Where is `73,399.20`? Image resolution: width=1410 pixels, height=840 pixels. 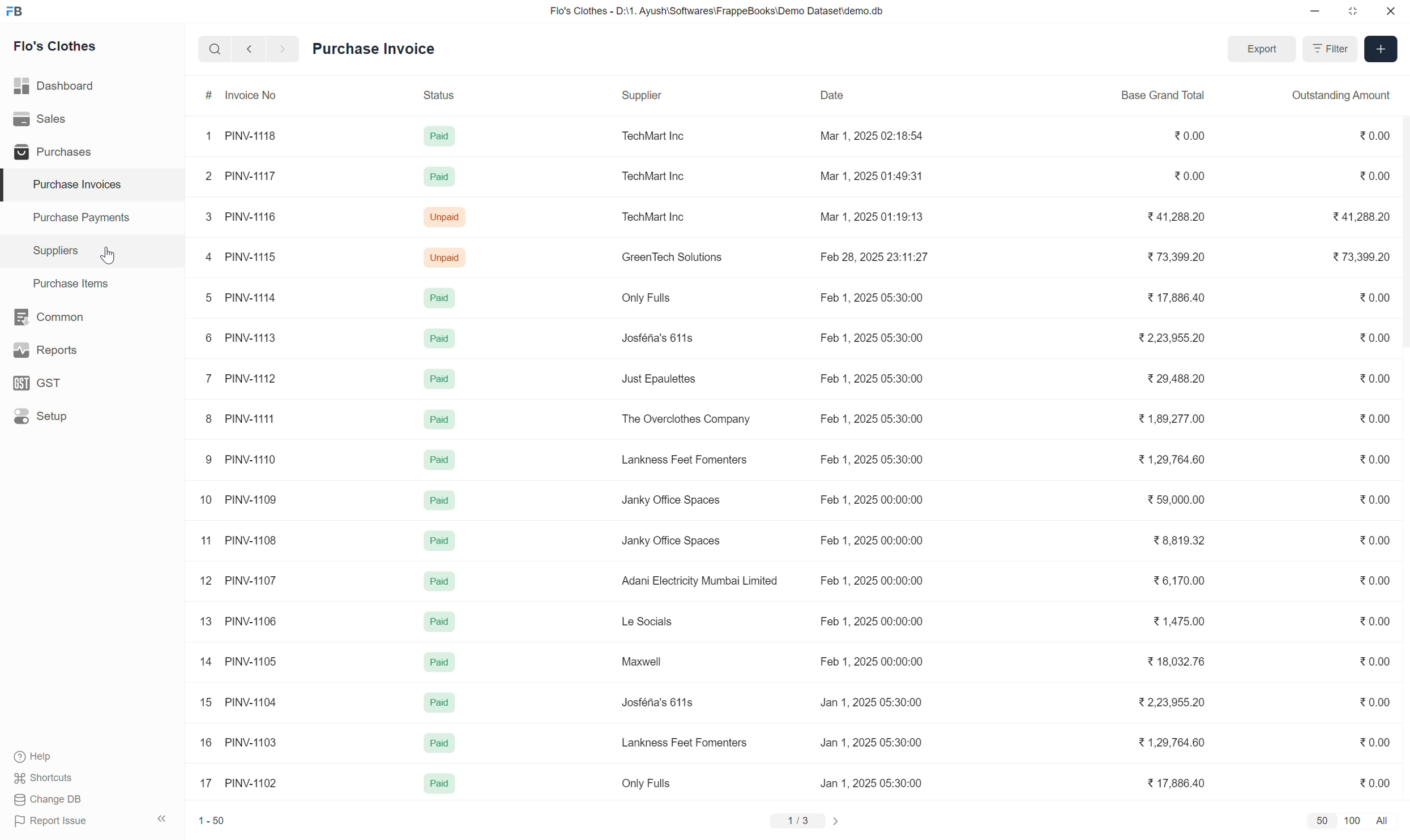
73,399.20 is located at coordinates (1357, 256).